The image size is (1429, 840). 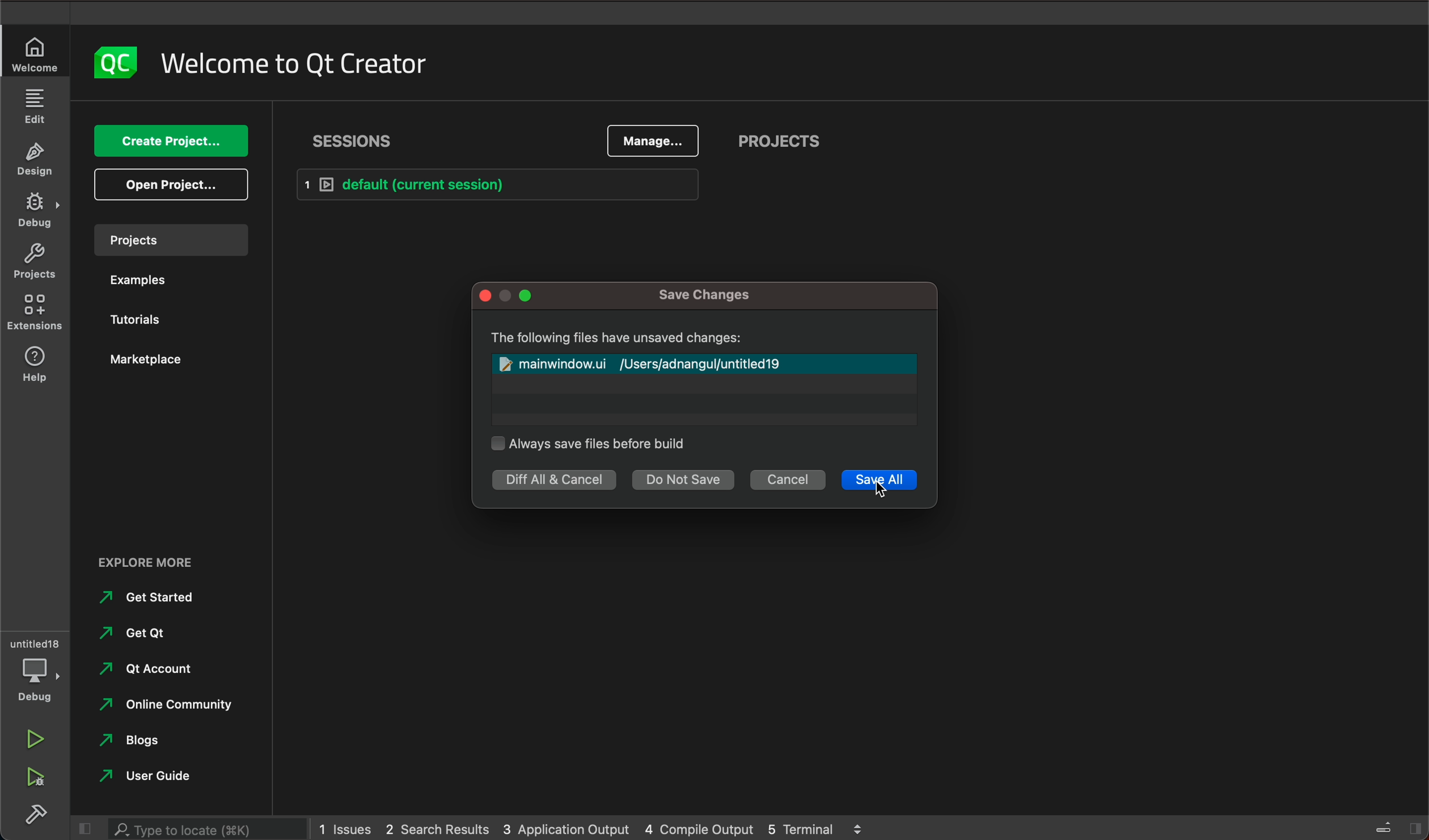 I want to click on projects, so click(x=785, y=139).